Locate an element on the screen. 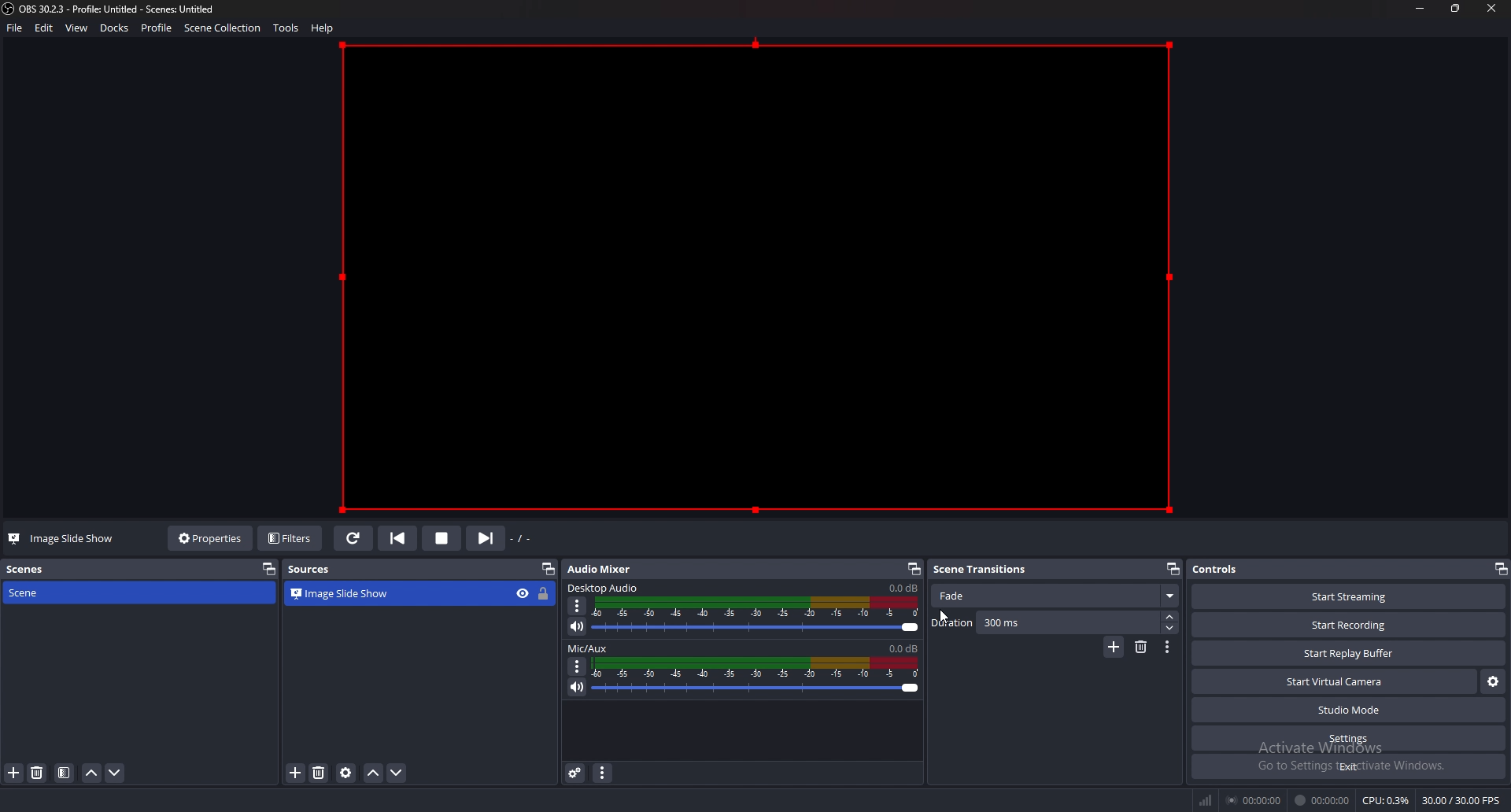 Image resolution: width=1511 pixels, height=812 pixels. source properties is located at coordinates (346, 773).